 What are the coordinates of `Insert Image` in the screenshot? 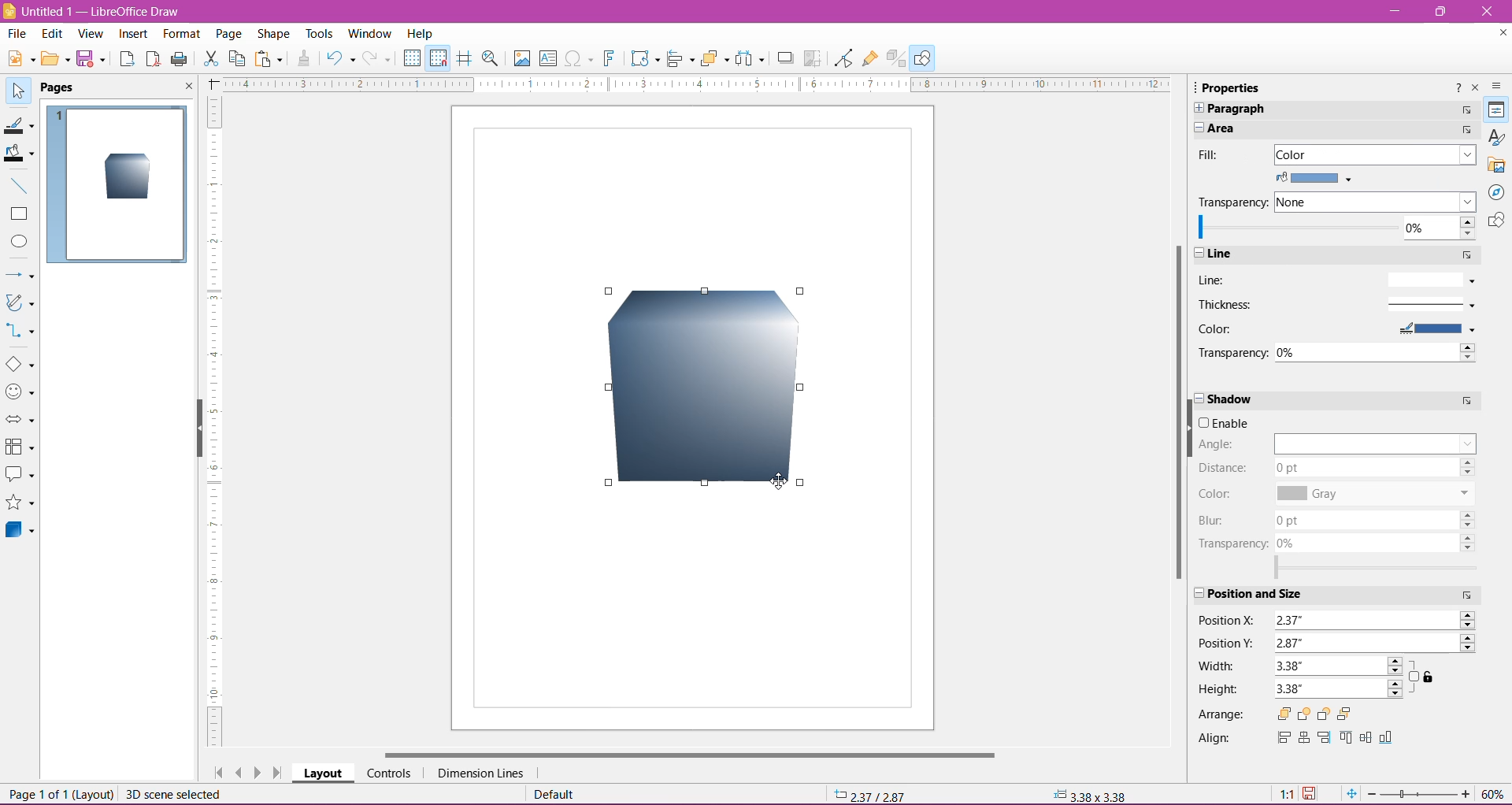 It's located at (521, 58).